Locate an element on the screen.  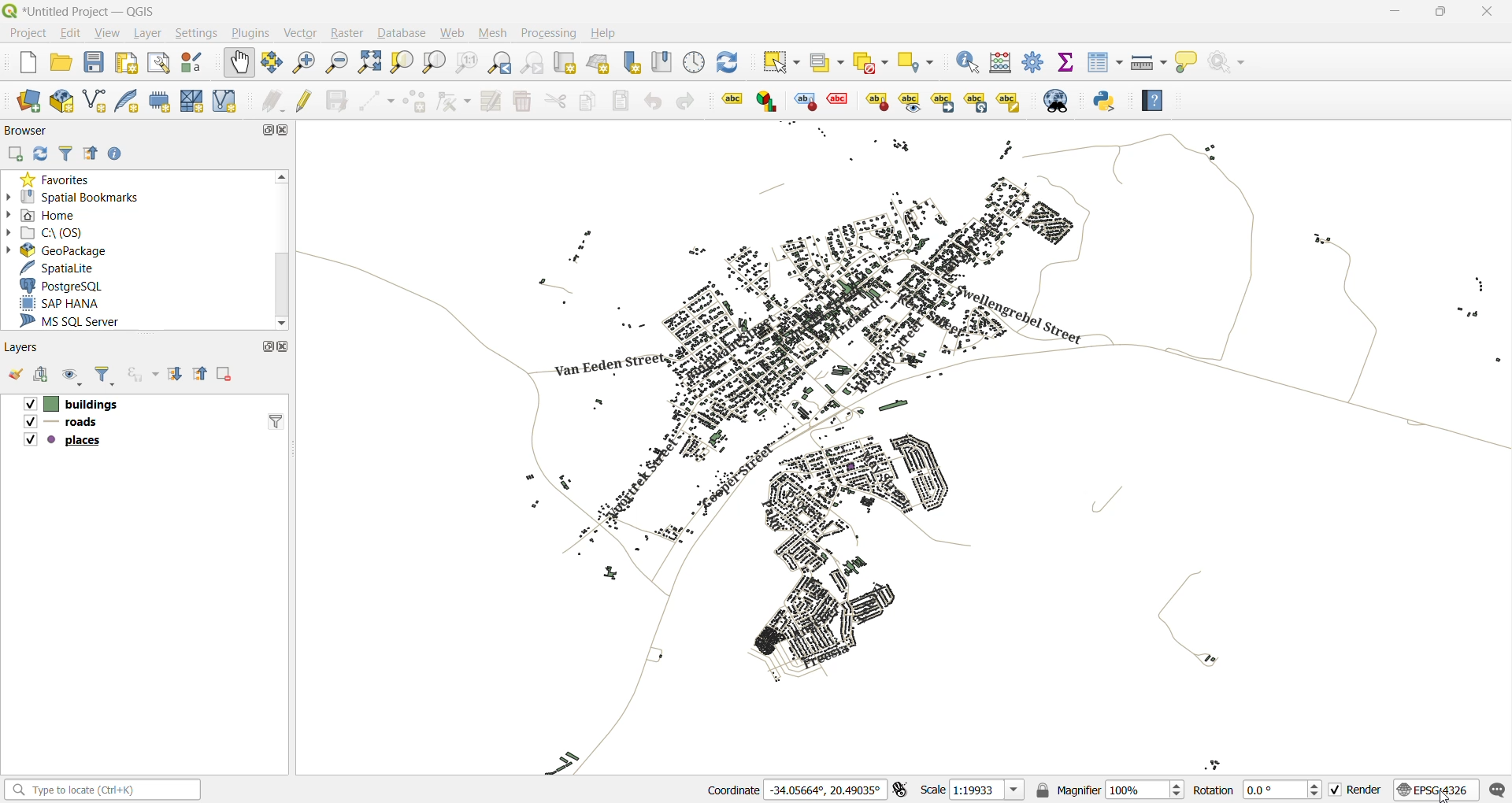
filter by experience is located at coordinates (141, 375).